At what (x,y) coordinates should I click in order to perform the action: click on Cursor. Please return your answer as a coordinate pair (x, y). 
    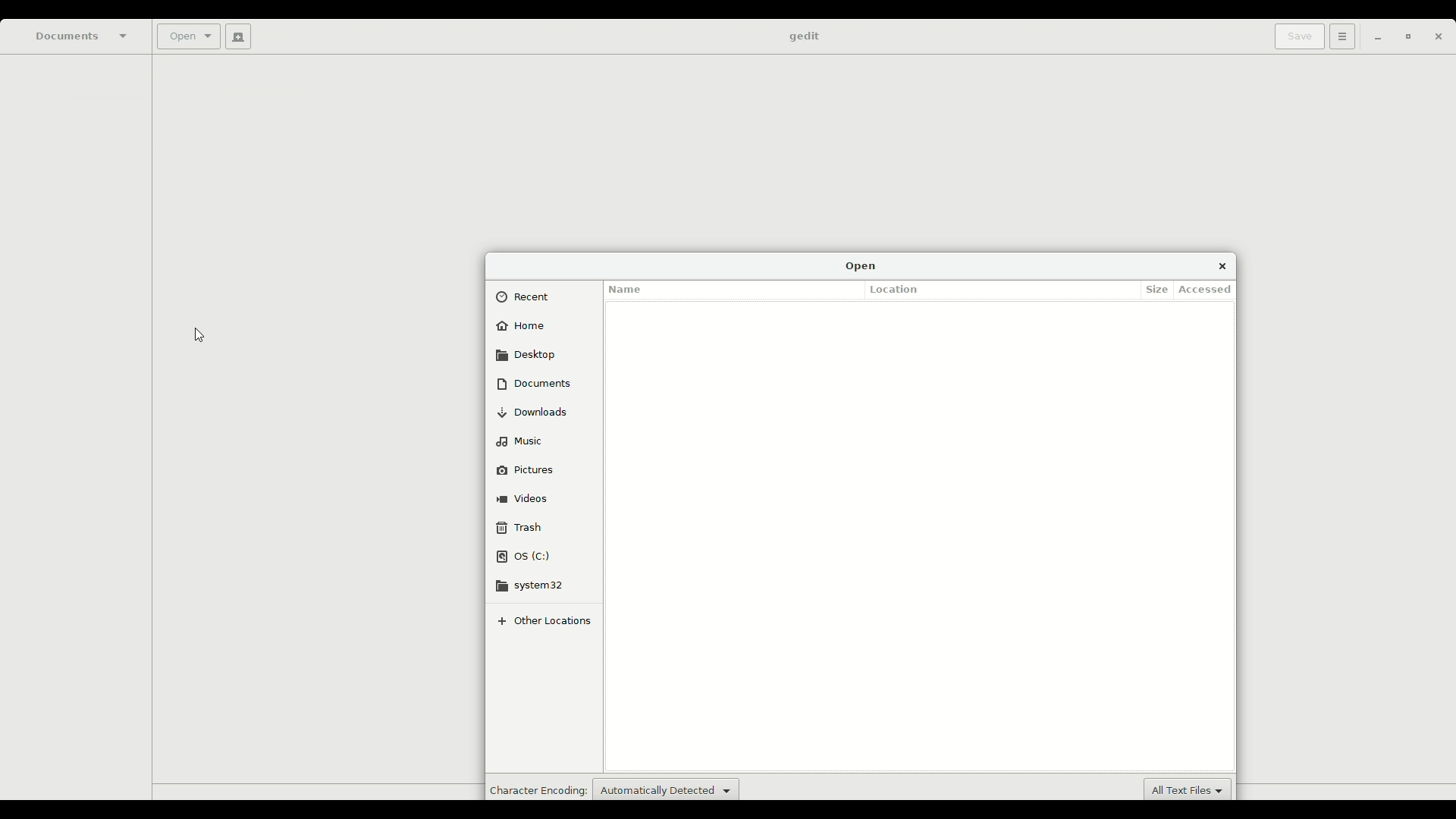
    Looking at the image, I should click on (202, 334).